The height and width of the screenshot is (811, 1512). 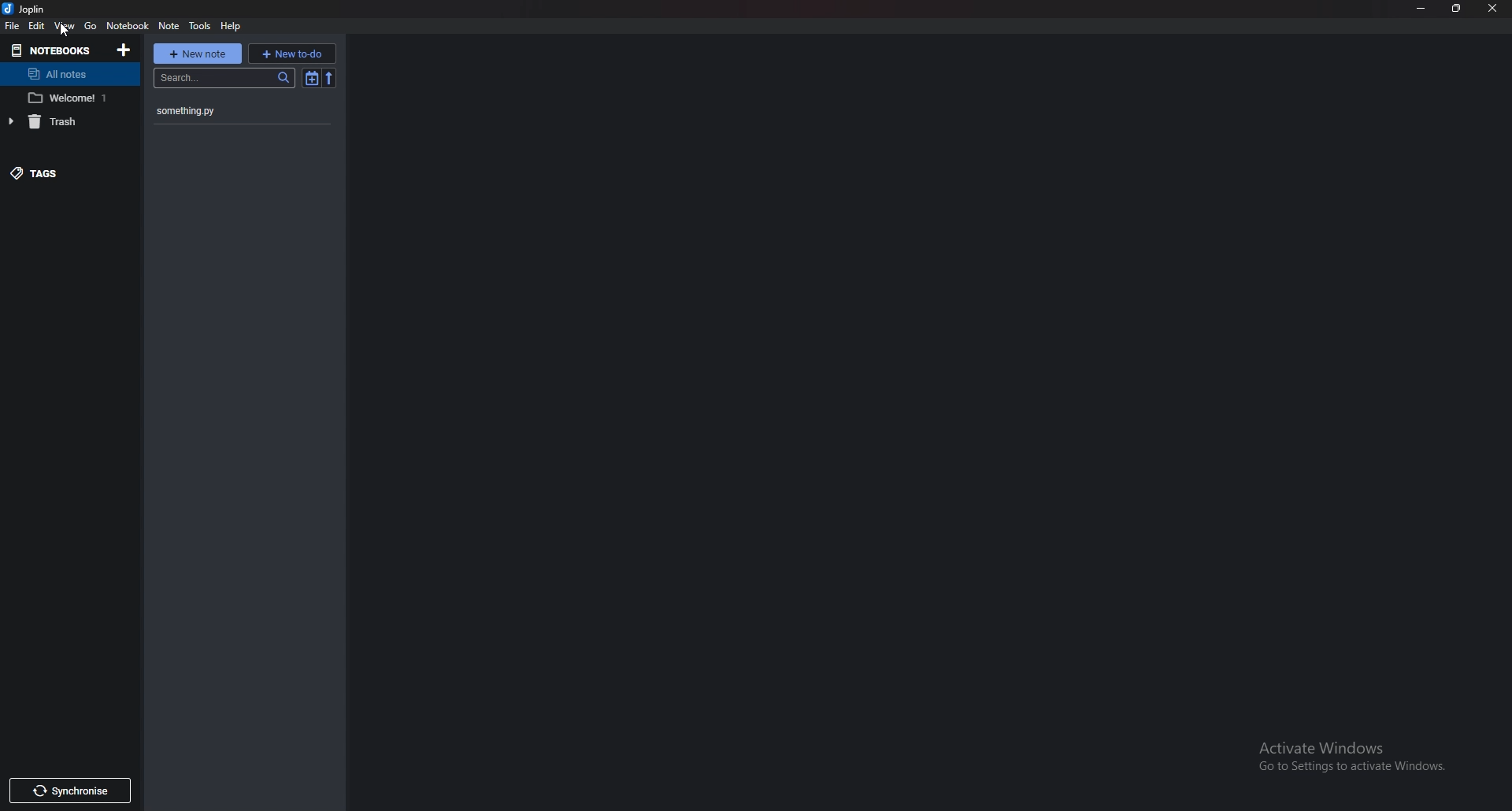 What do you see at coordinates (66, 26) in the screenshot?
I see `view` at bounding box center [66, 26].